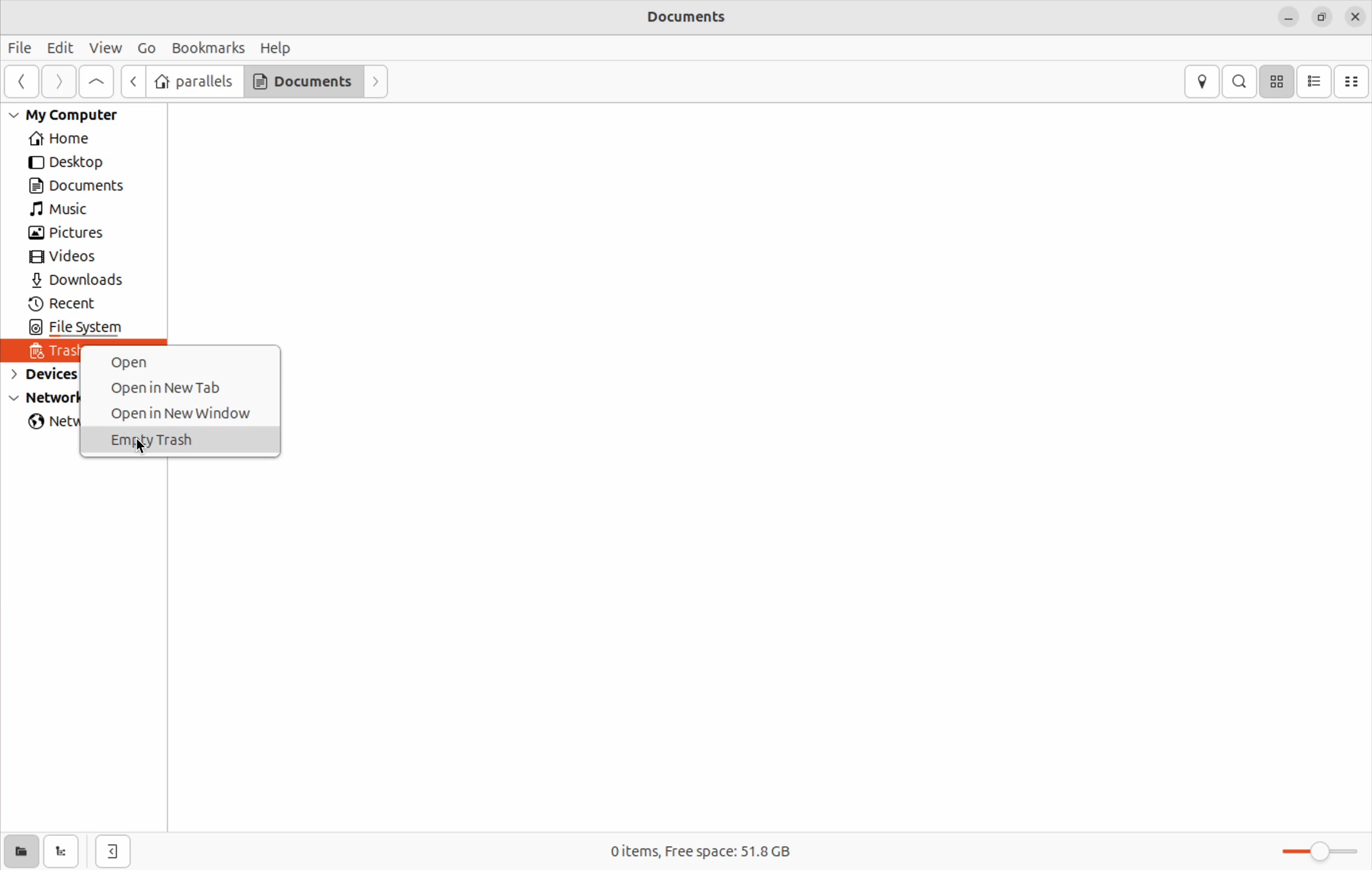 This screenshot has height=870, width=1372. Describe the element at coordinates (1354, 81) in the screenshot. I see `Compact view` at that location.